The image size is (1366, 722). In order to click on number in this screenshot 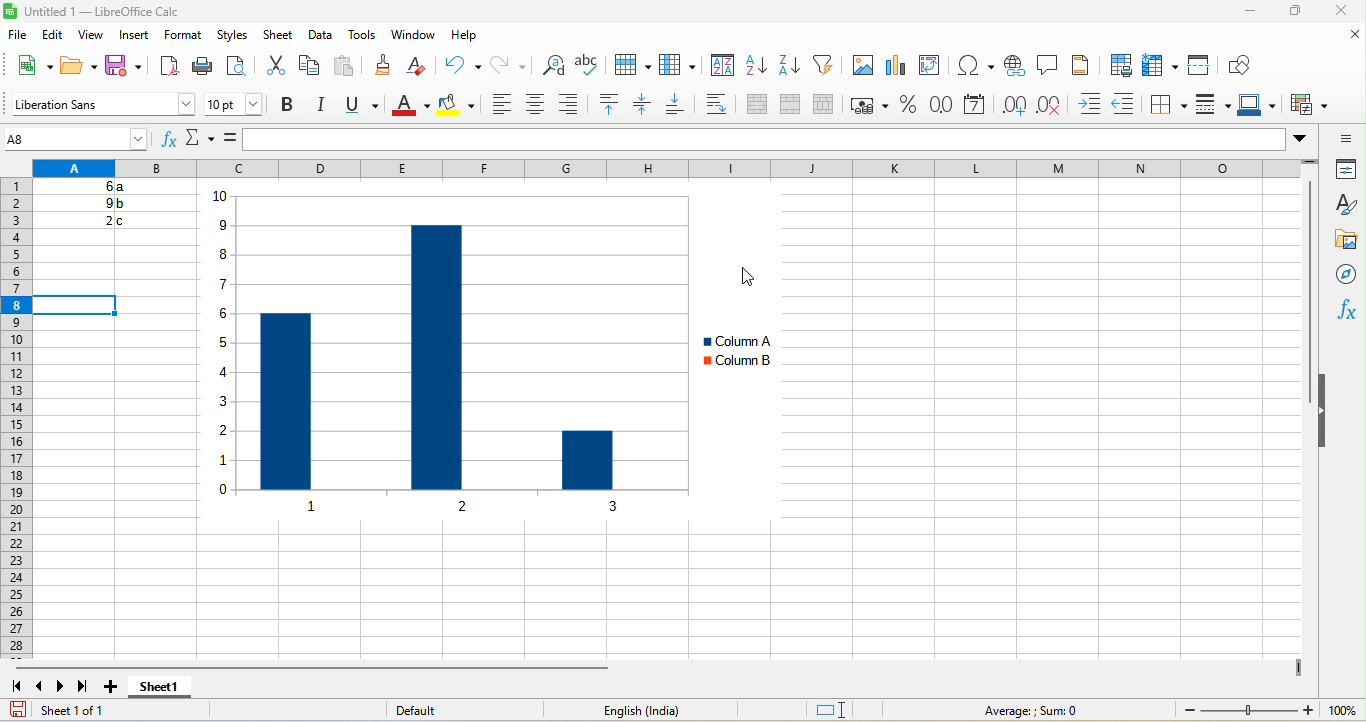, I will do `click(936, 104)`.